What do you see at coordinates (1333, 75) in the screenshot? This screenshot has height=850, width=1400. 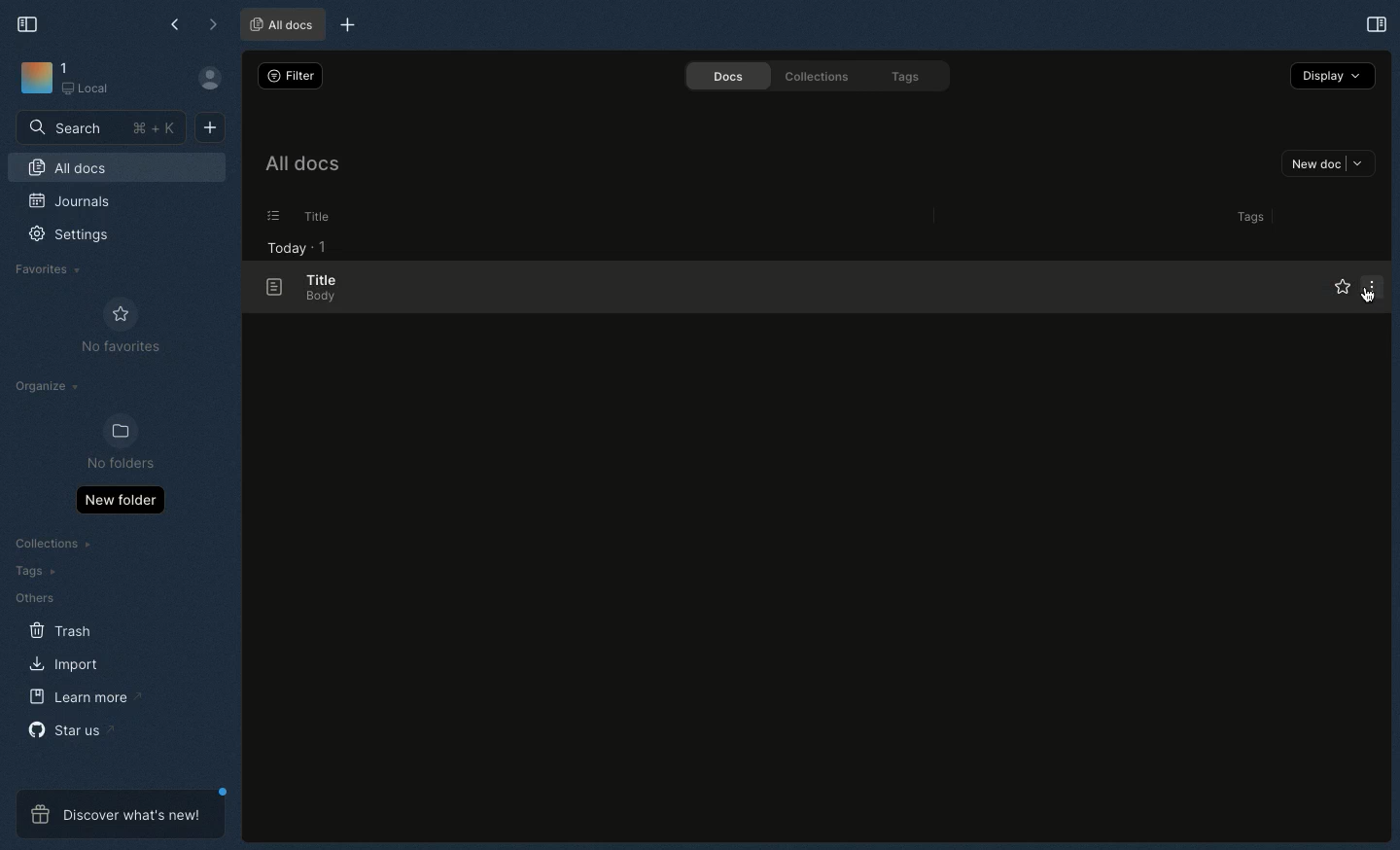 I see `Display` at bounding box center [1333, 75].